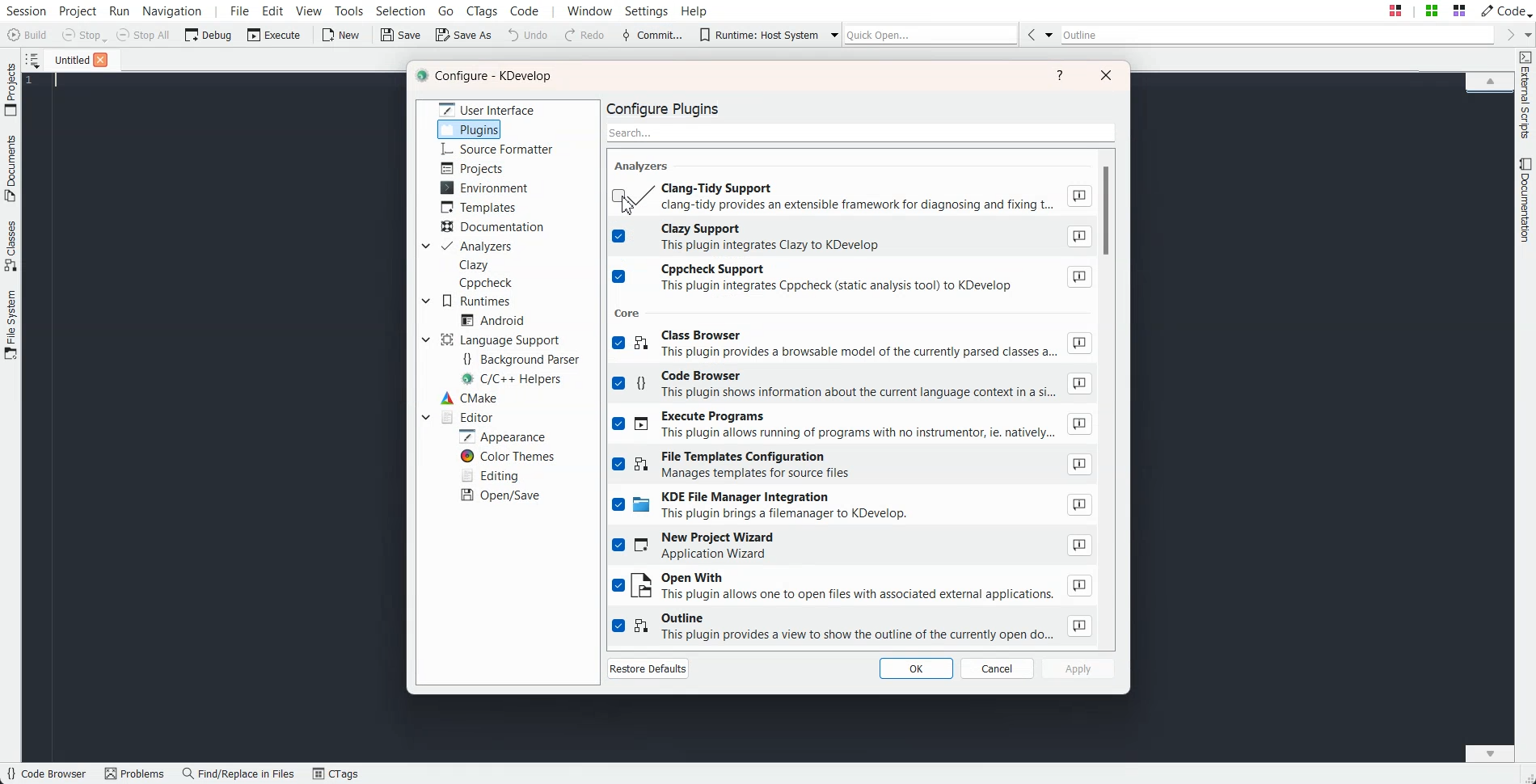 Image resolution: width=1536 pixels, height=784 pixels. I want to click on New, so click(340, 35).